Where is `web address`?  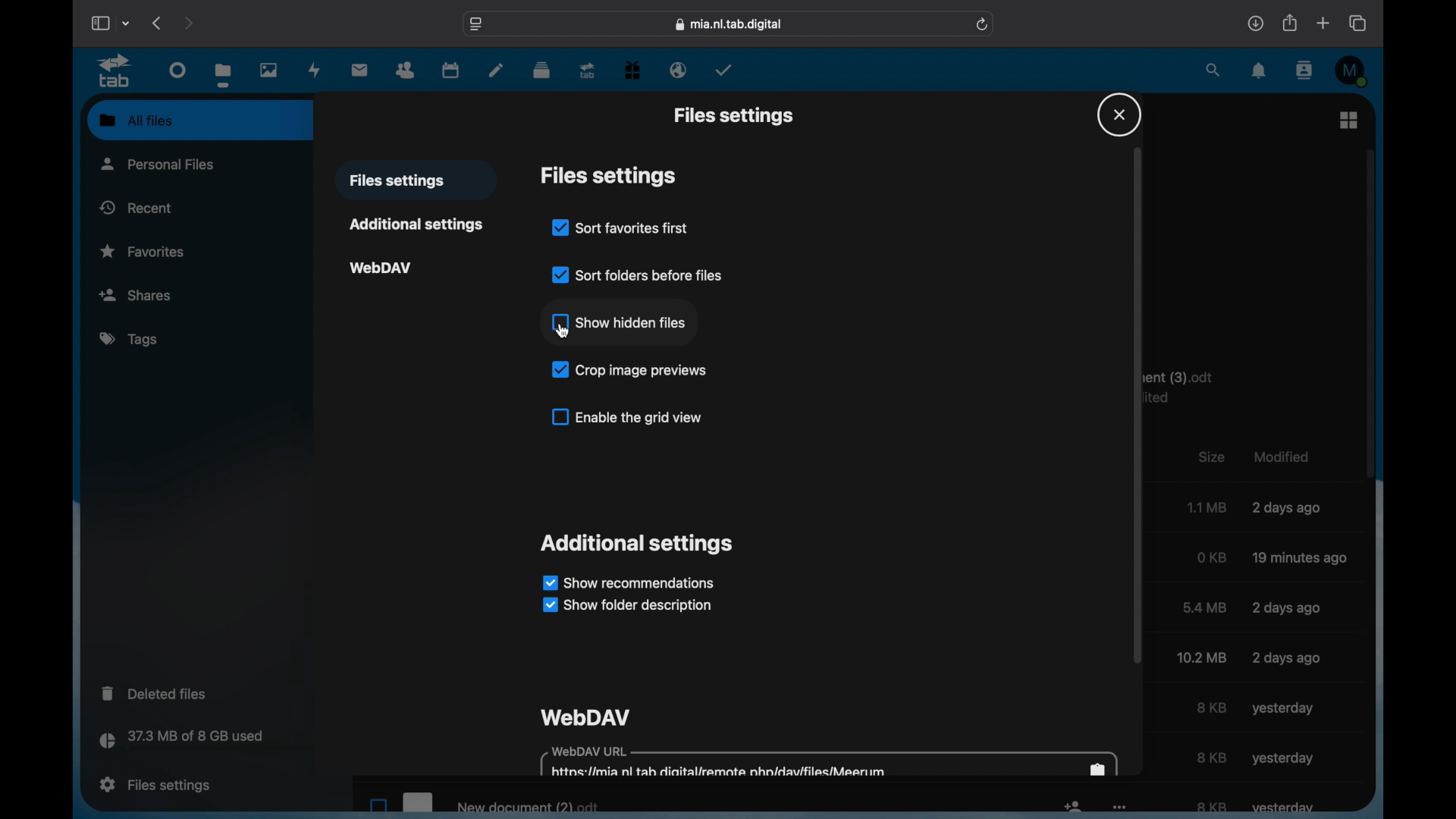 web address is located at coordinates (477, 25).